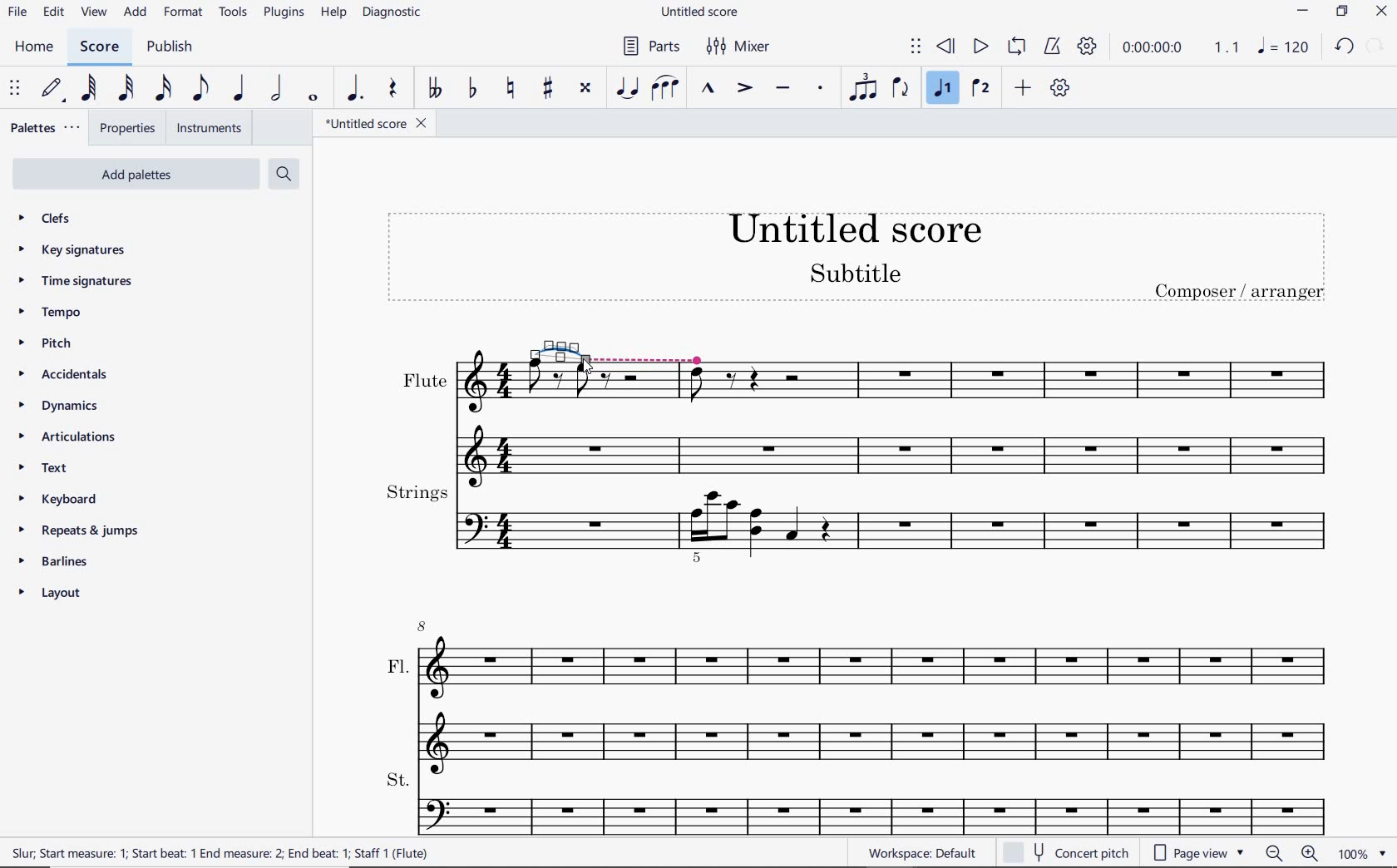 This screenshot has width=1397, height=868. Describe the element at coordinates (926, 855) in the screenshot. I see `workplace: default` at that location.